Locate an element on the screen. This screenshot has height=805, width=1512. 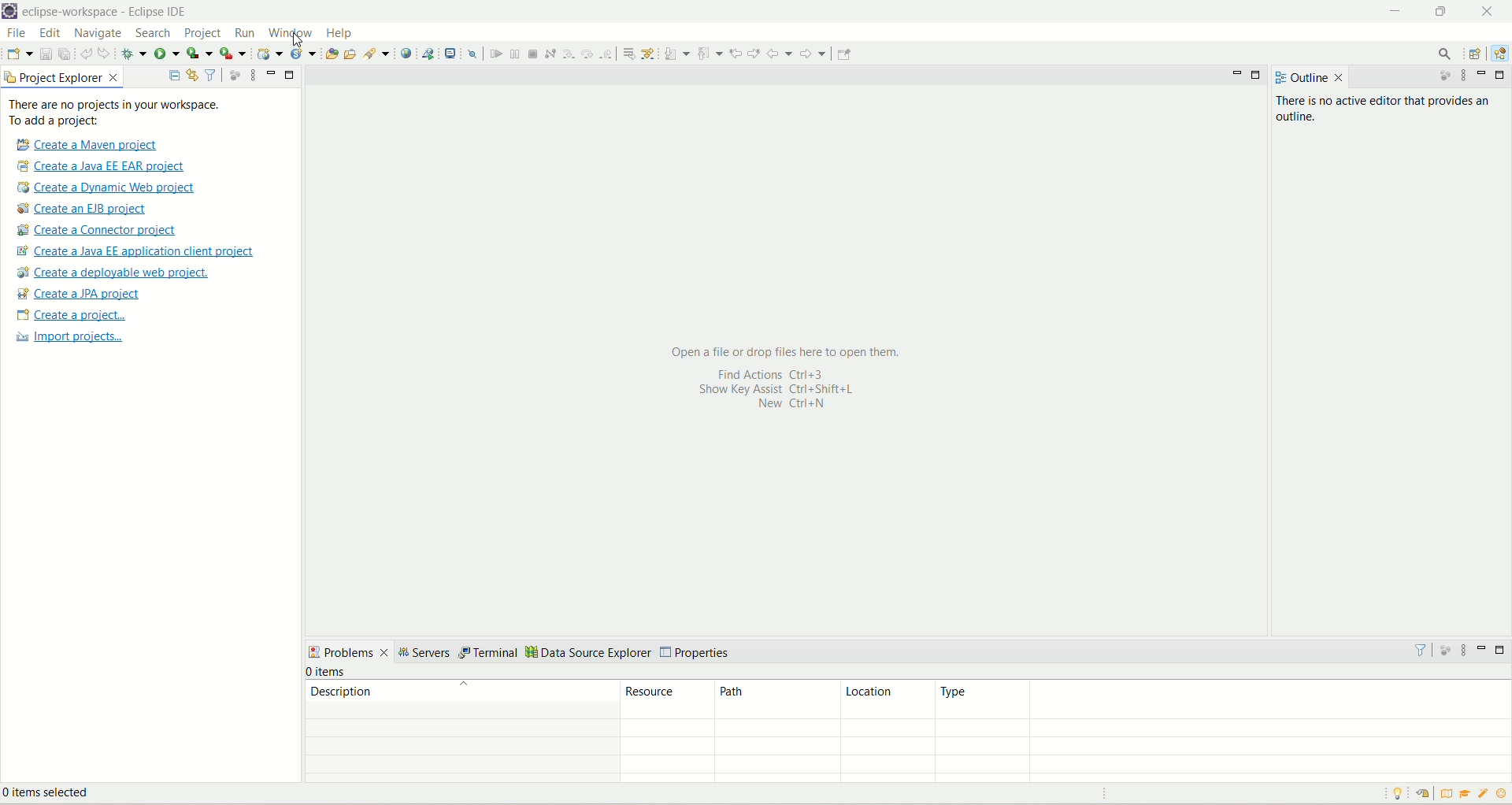
forward is located at coordinates (815, 54).